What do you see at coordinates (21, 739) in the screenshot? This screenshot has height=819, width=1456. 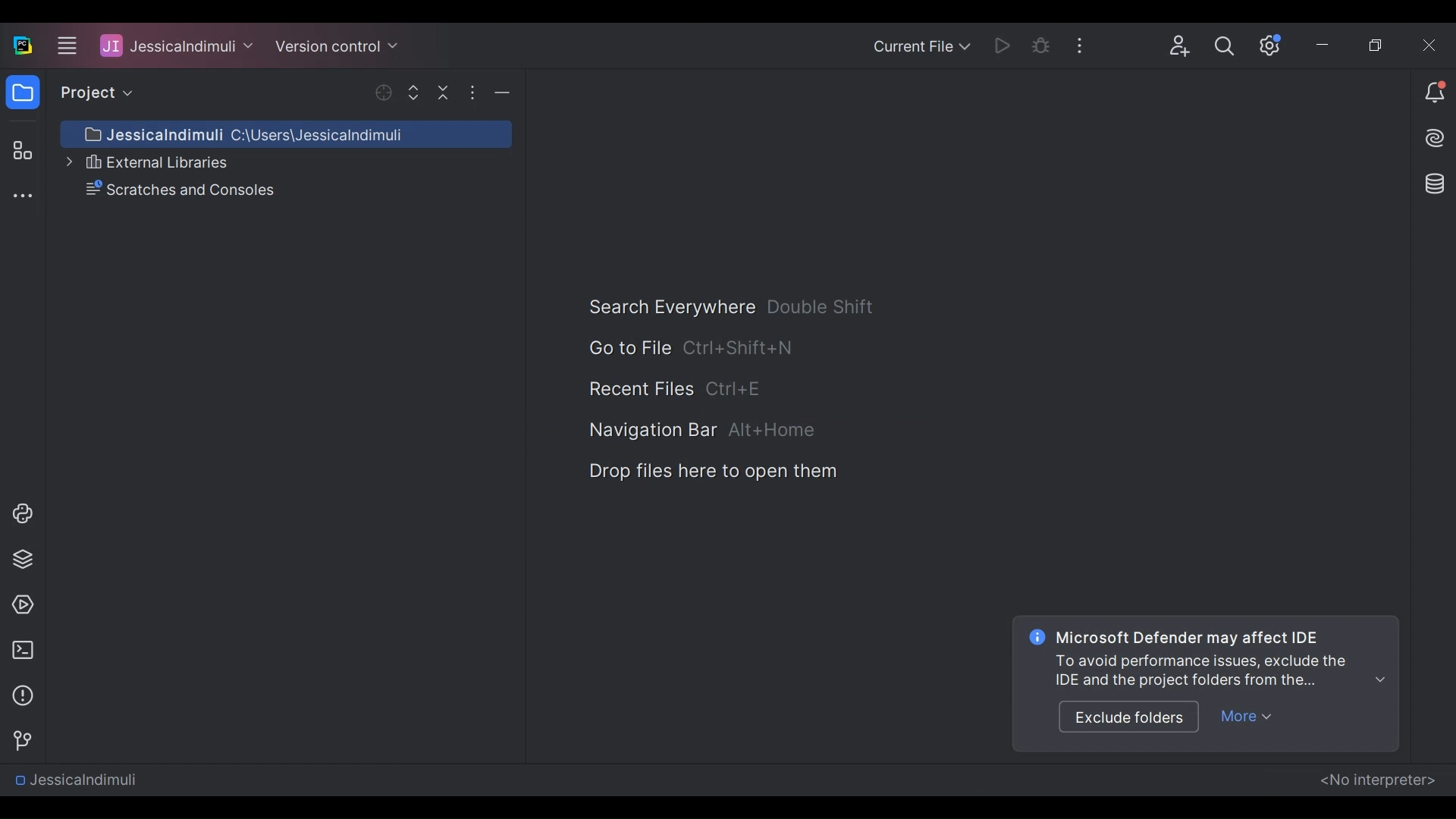 I see `Version Control` at bounding box center [21, 739].